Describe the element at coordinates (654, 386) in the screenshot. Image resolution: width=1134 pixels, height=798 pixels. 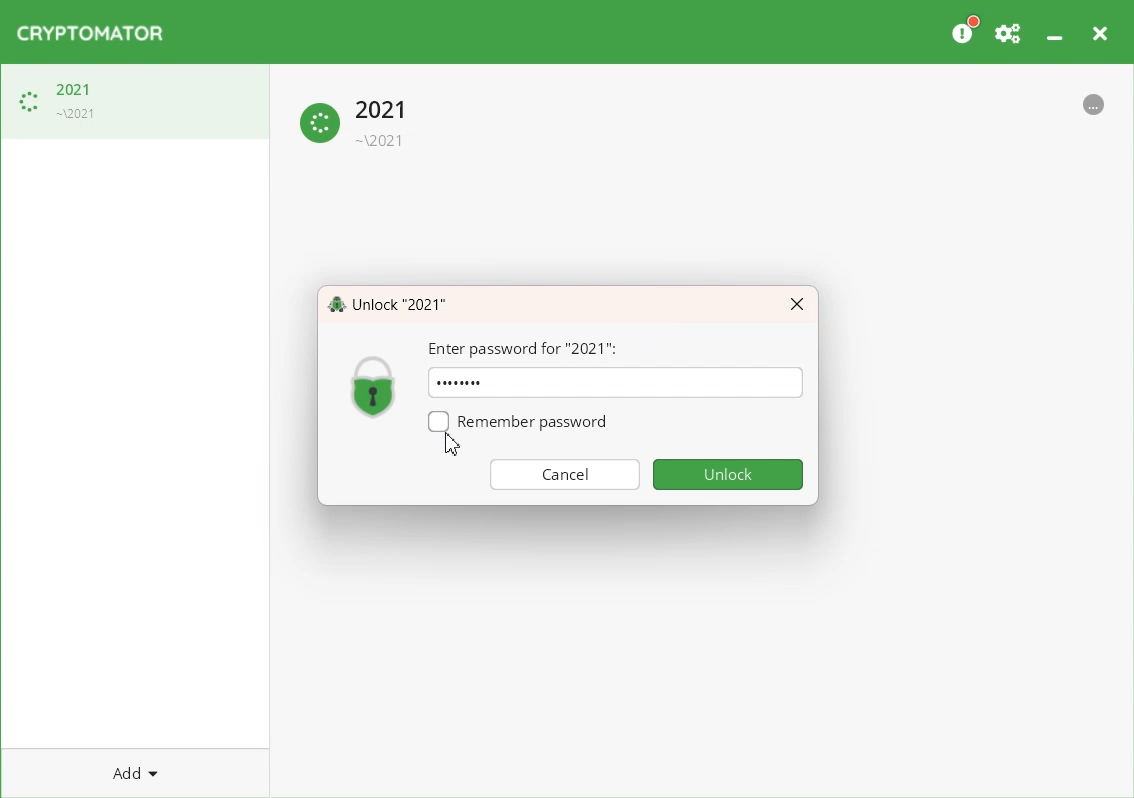
I see `Typing window` at that location.